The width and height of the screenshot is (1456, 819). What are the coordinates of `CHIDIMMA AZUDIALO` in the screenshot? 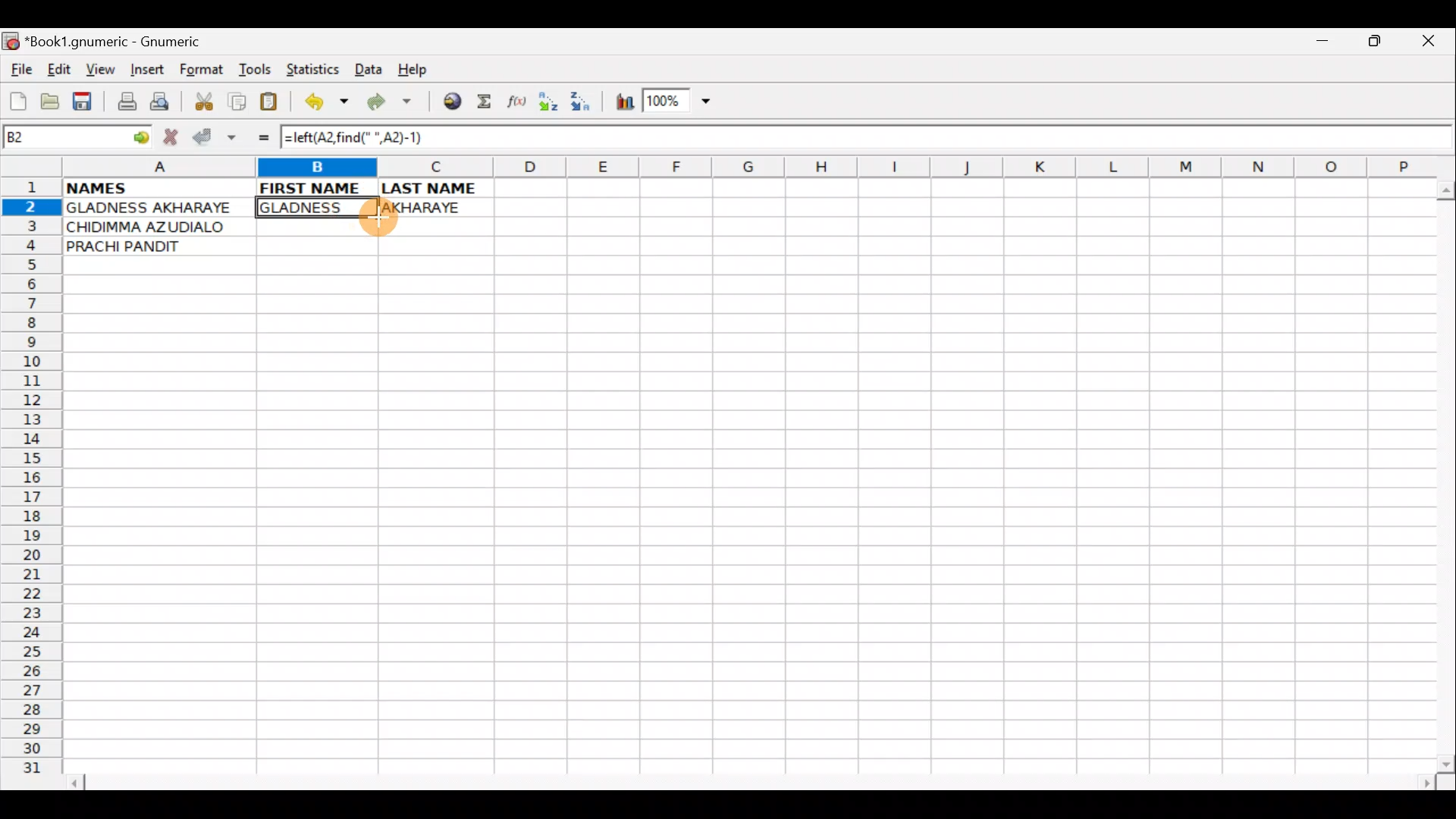 It's located at (152, 227).